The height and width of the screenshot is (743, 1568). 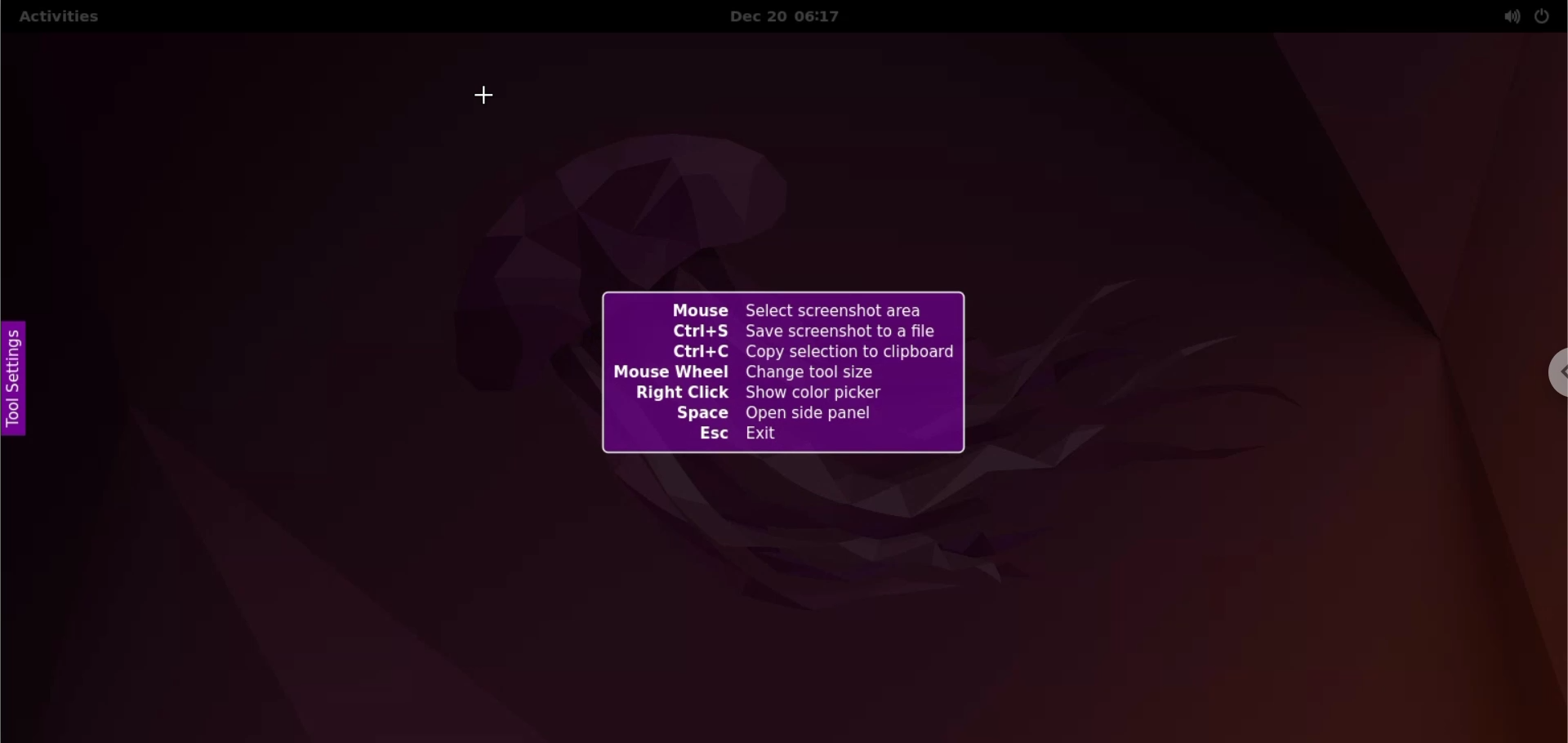 I want to click on cursor, so click(x=488, y=96).